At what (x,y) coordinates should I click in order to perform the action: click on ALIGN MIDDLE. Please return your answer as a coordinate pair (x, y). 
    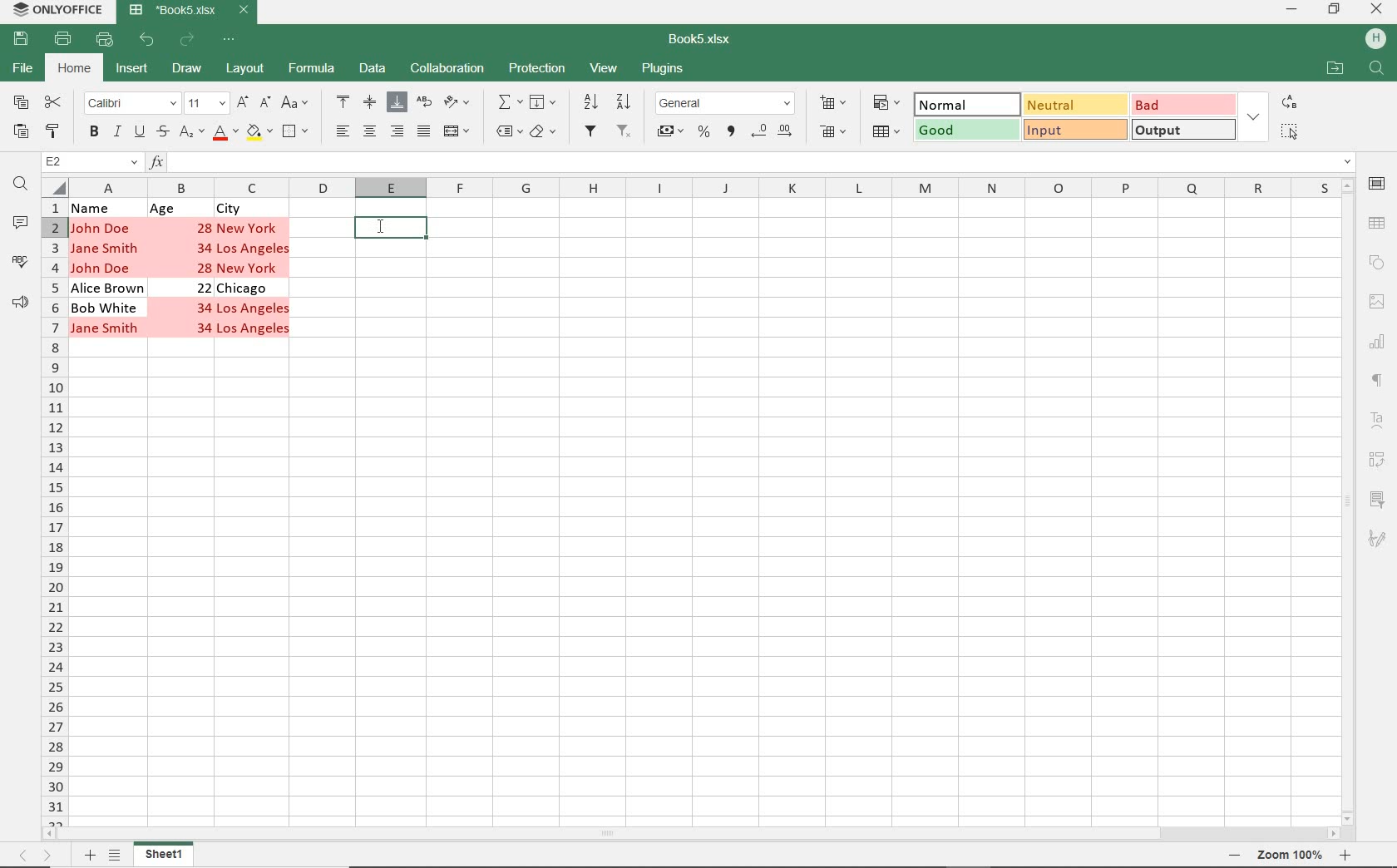
    Looking at the image, I should click on (370, 104).